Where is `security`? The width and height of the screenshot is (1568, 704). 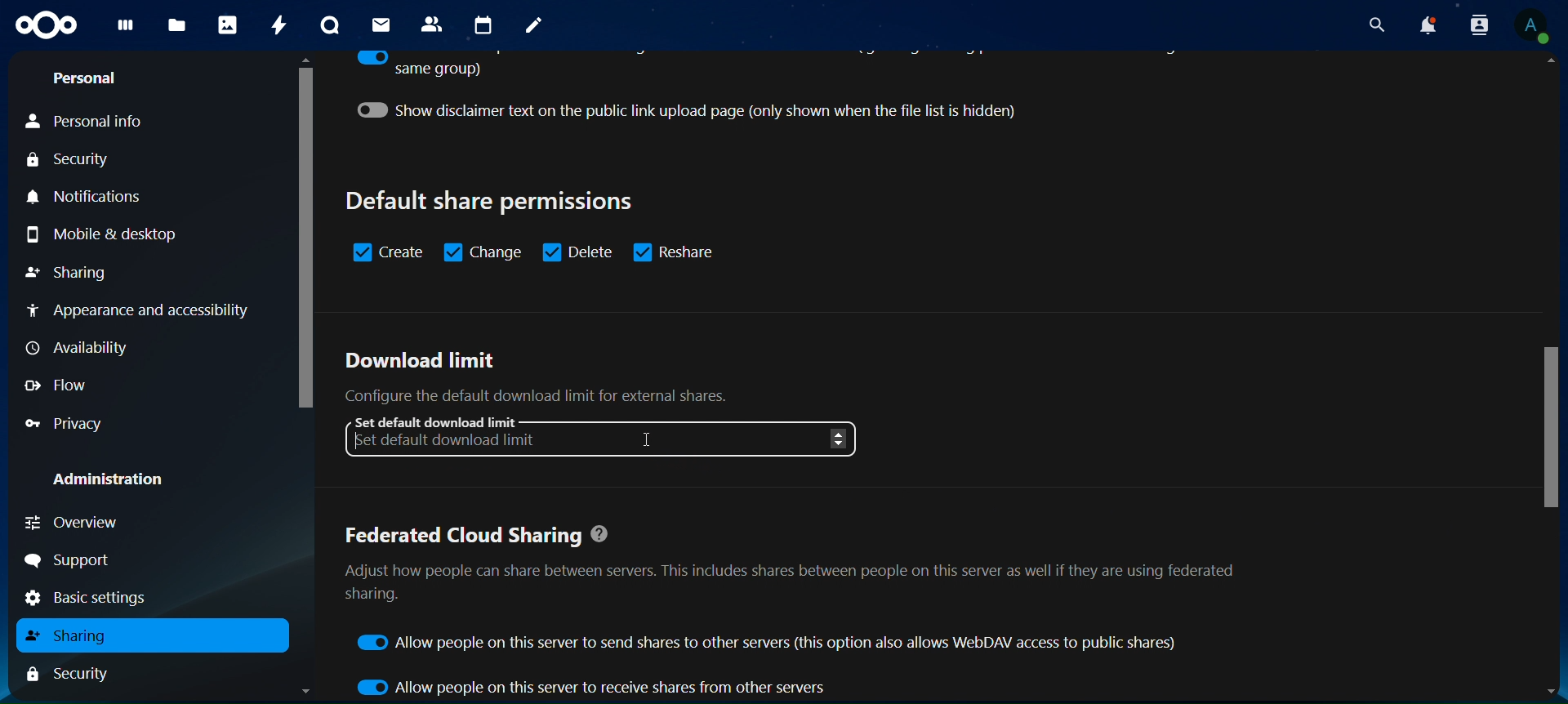
security is located at coordinates (69, 160).